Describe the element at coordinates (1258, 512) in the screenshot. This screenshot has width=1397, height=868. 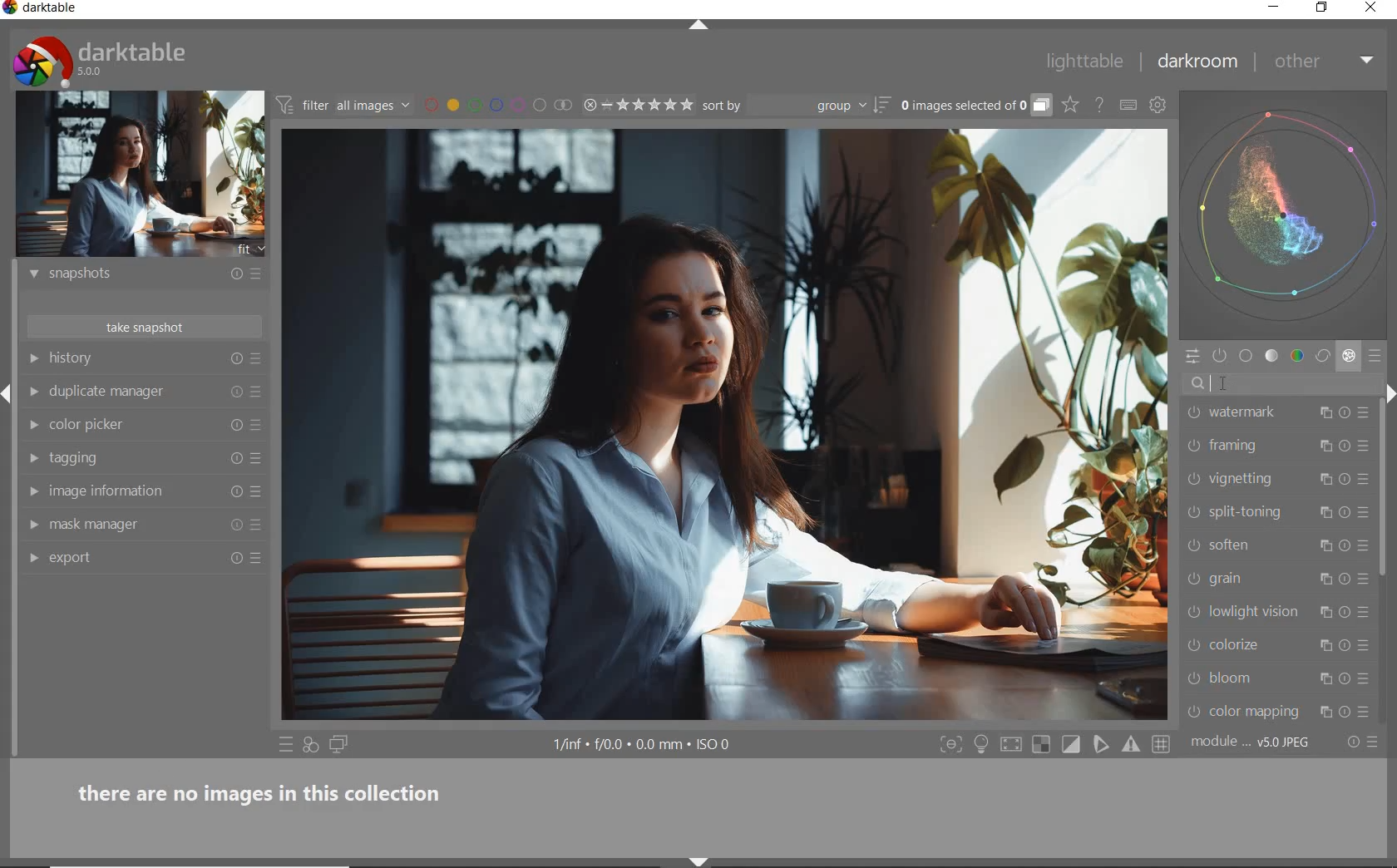
I see `split-toning` at that location.